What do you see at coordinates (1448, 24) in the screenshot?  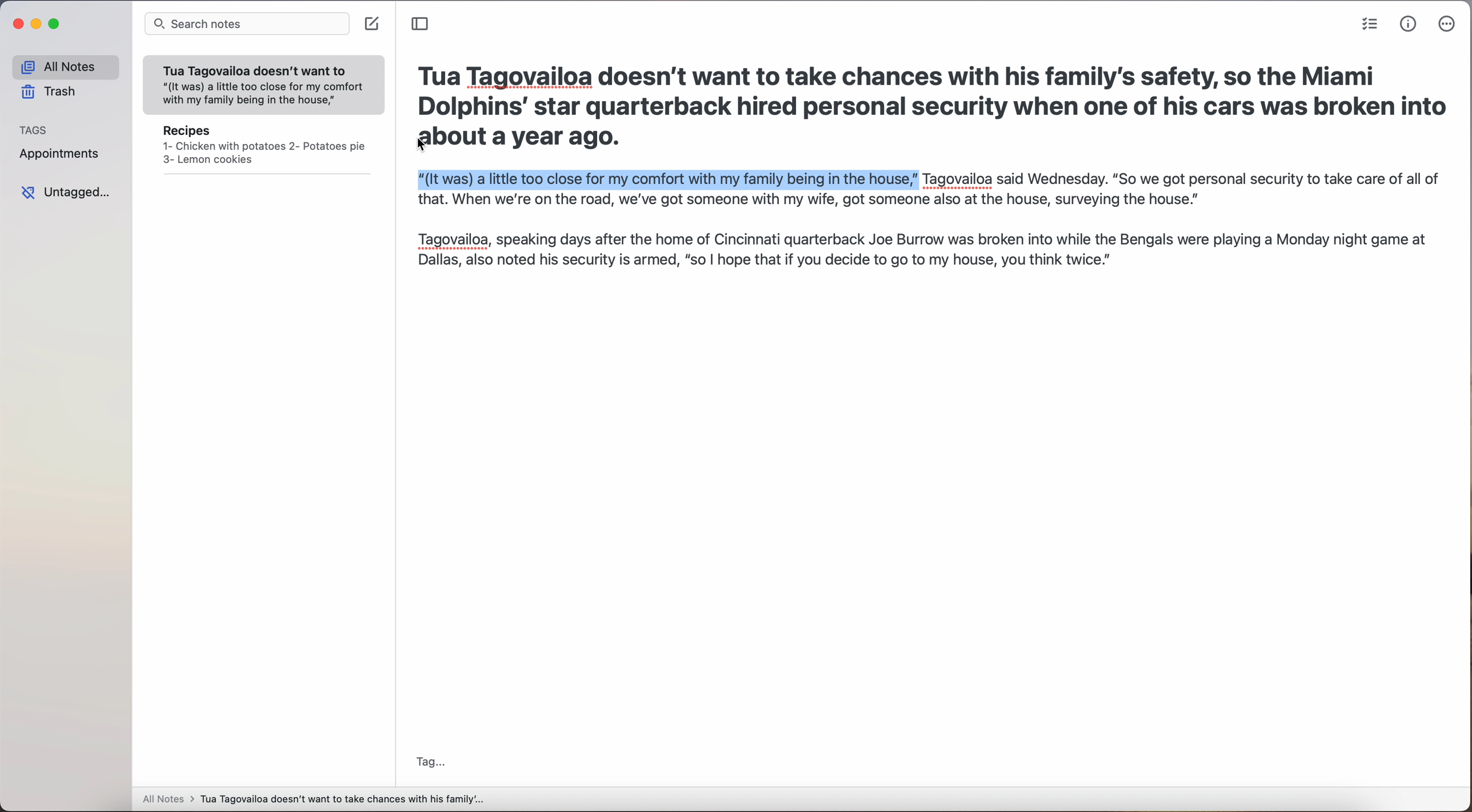 I see `more options` at bounding box center [1448, 24].